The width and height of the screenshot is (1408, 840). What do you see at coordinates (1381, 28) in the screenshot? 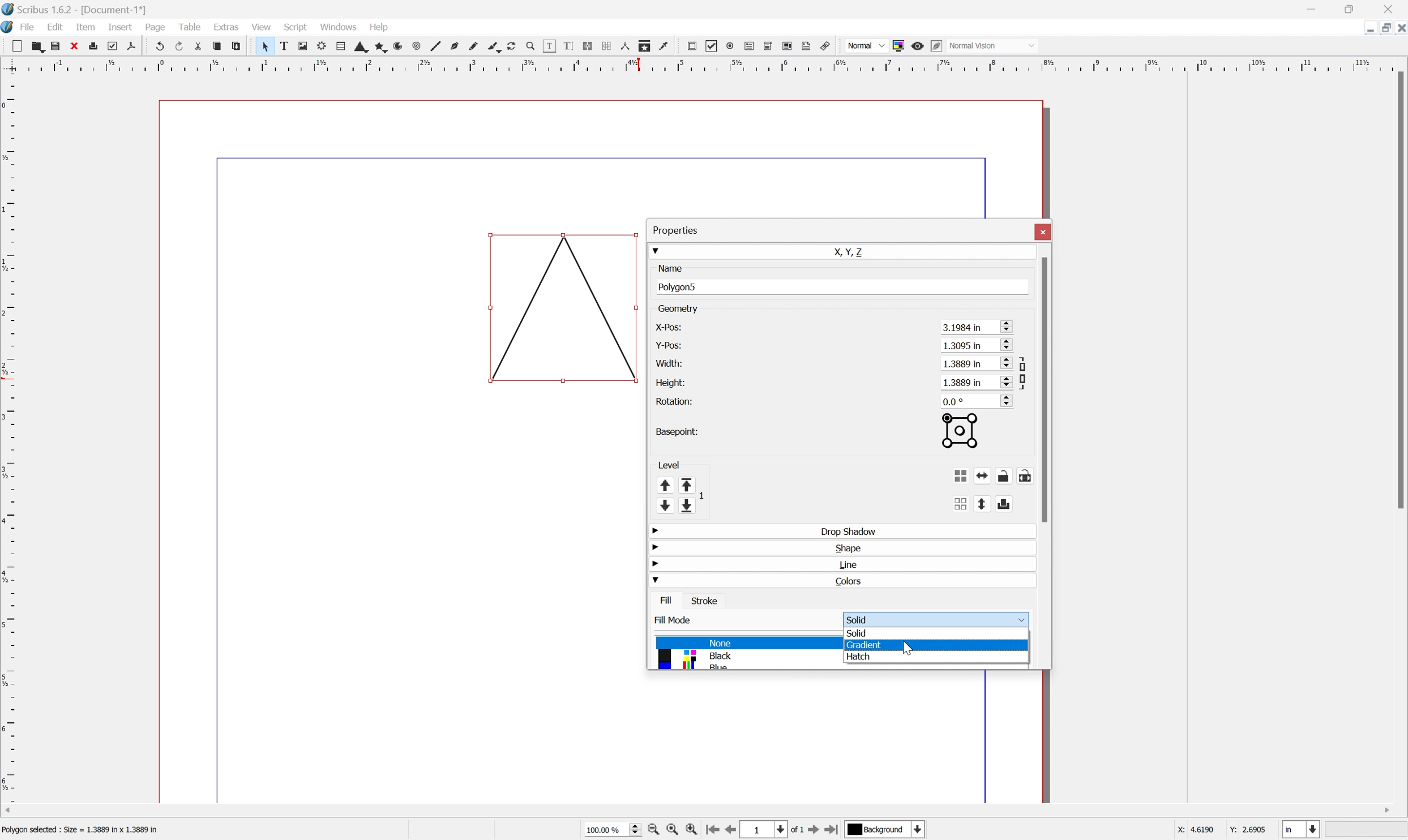
I see `Restore Down` at bounding box center [1381, 28].